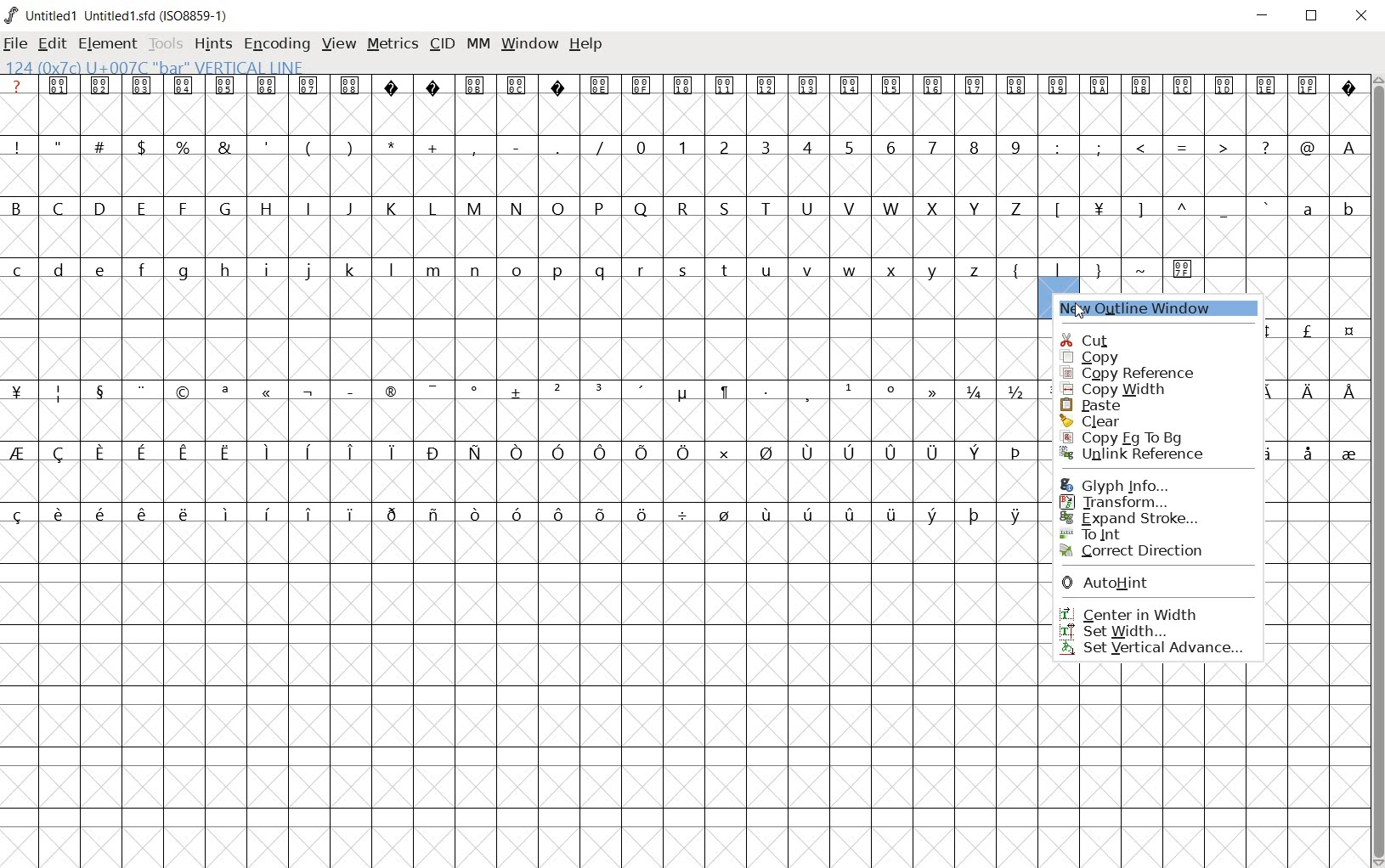  What do you see at coordinates (1325, 332) in the screenshot?
I see `special symbols` at bounding box center [1325, 332].